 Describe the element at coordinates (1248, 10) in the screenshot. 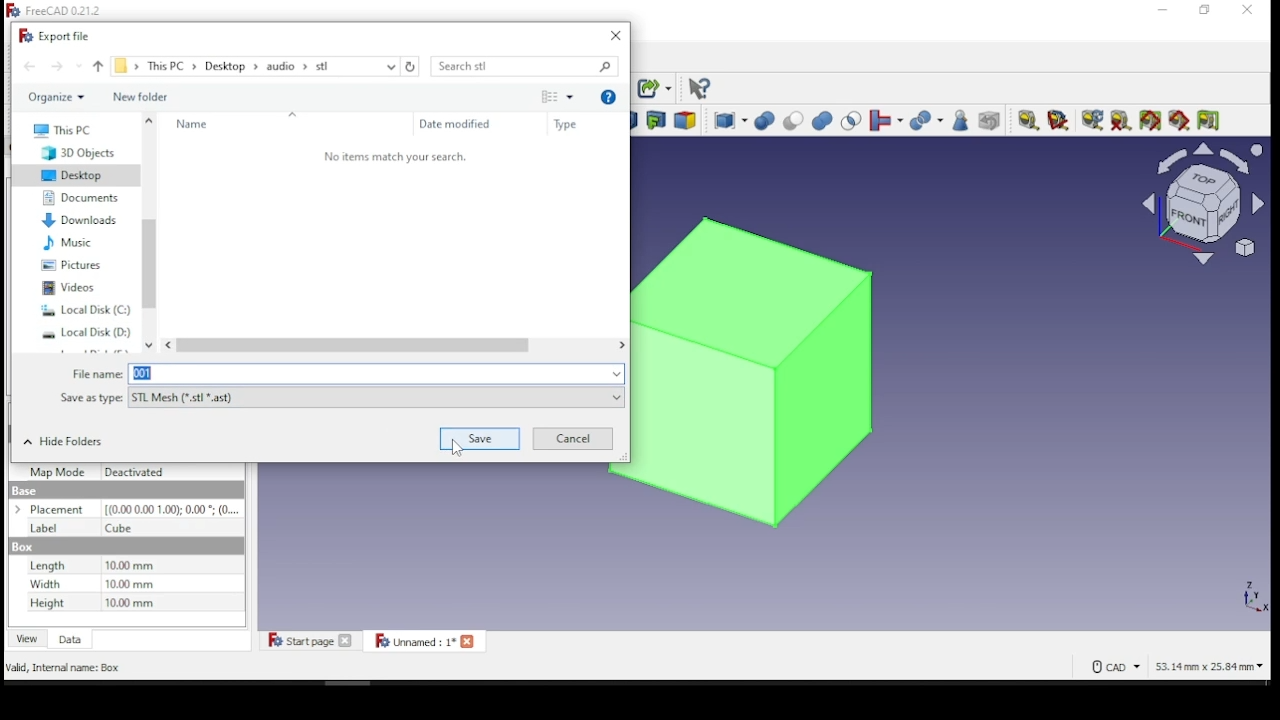

I see `close window` at that location.